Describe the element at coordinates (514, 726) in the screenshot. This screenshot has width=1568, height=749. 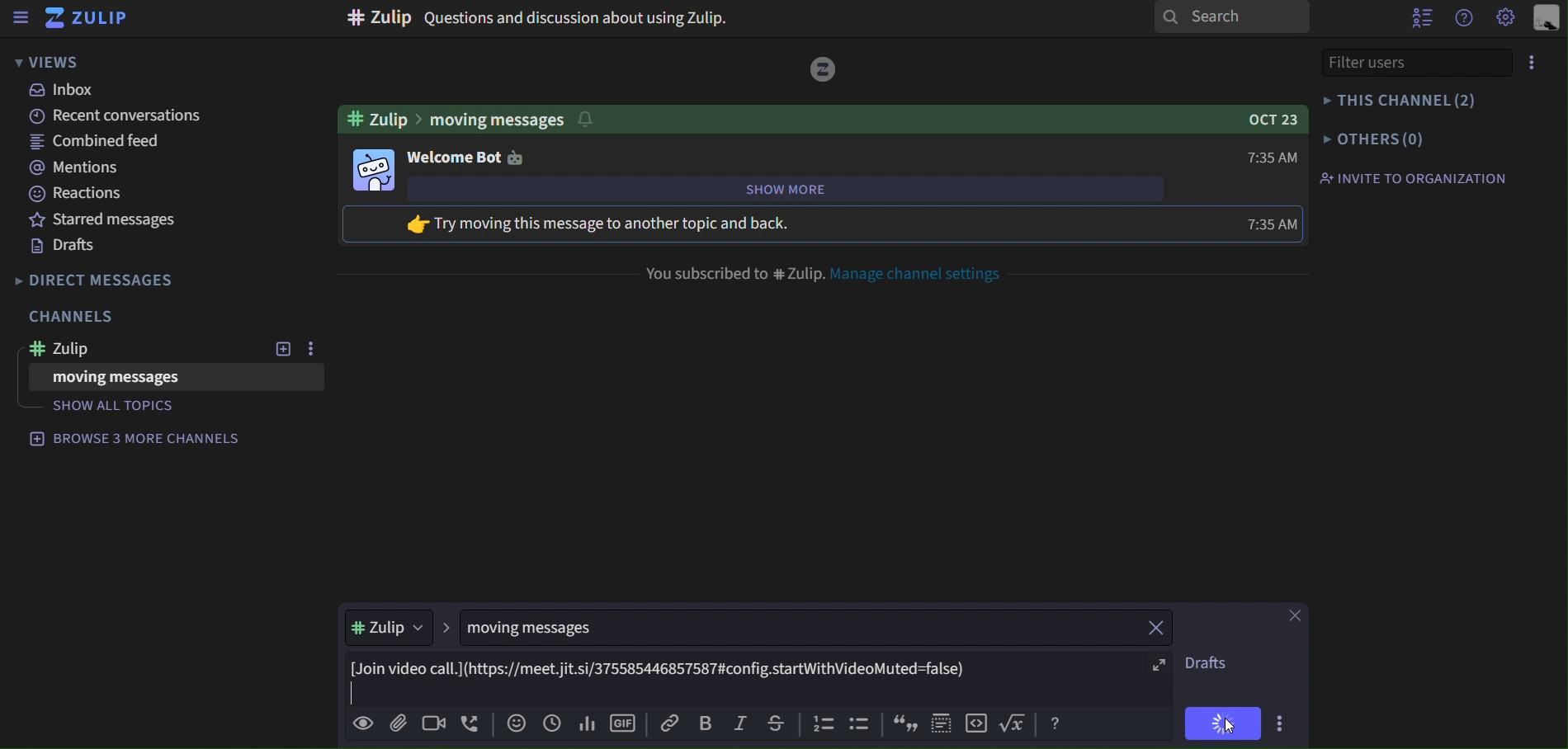
I see `add empji` at that location.